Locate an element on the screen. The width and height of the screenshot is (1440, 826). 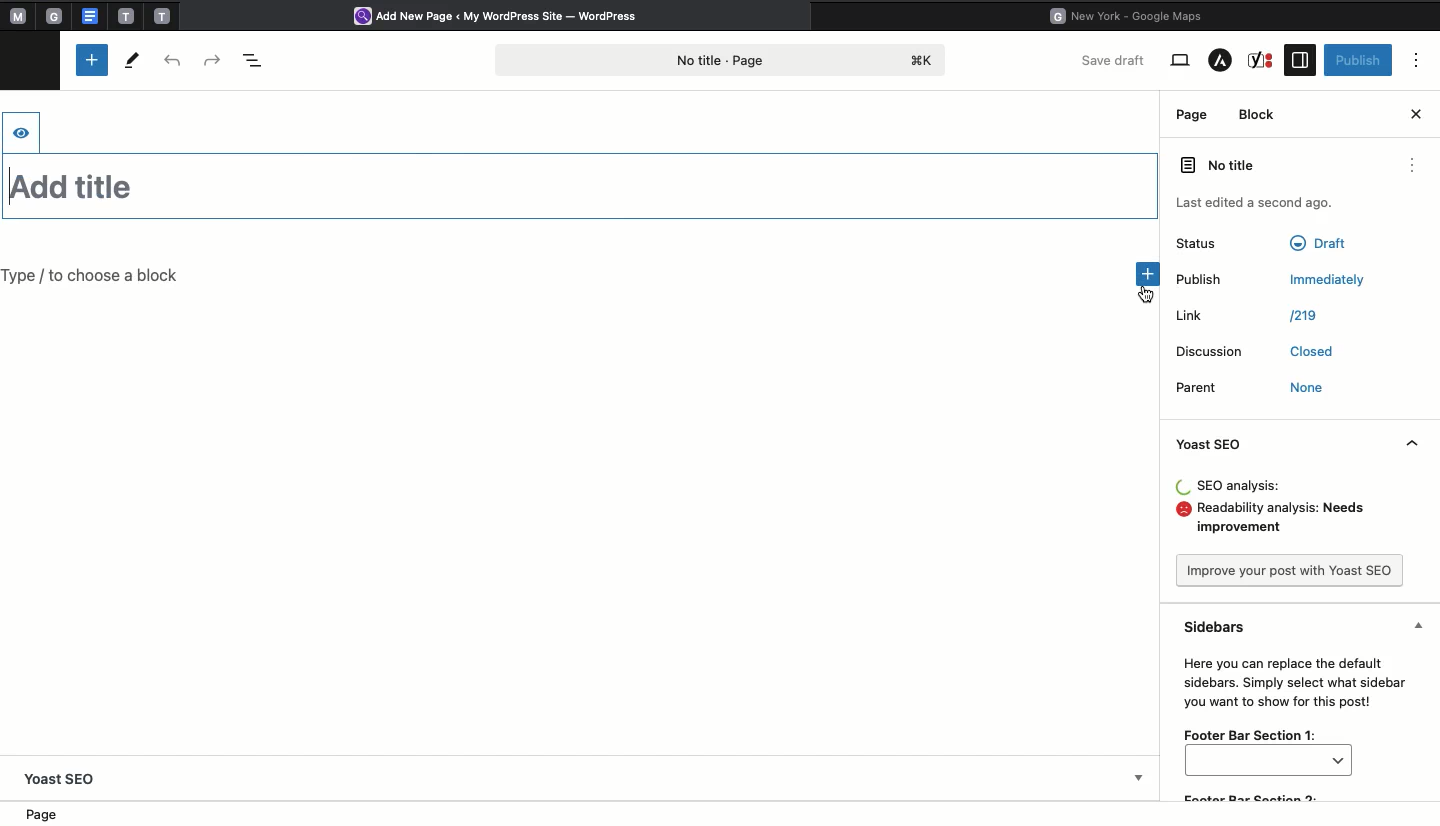
Analysis  is located at coordinates (1272, 503).